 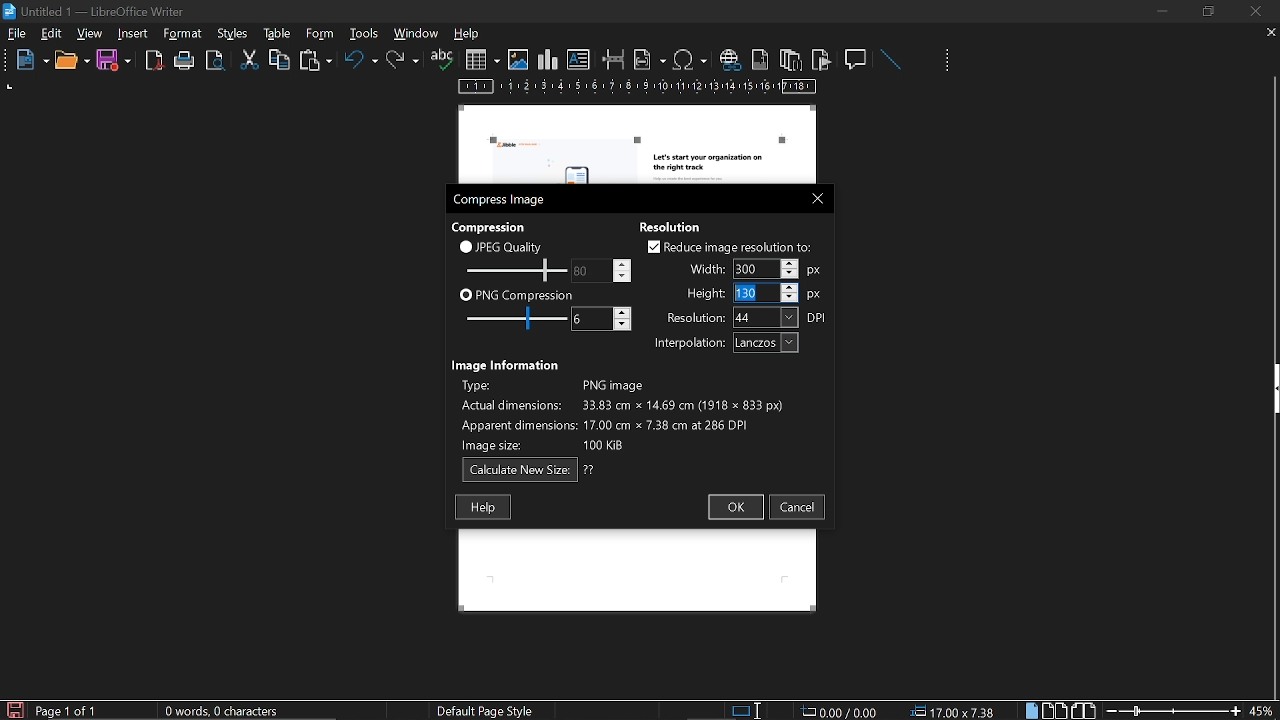 What do you see at coordinates (729, 61) in the screenshot?
I see `insert hyperlink` at bounding box center [729, 61].